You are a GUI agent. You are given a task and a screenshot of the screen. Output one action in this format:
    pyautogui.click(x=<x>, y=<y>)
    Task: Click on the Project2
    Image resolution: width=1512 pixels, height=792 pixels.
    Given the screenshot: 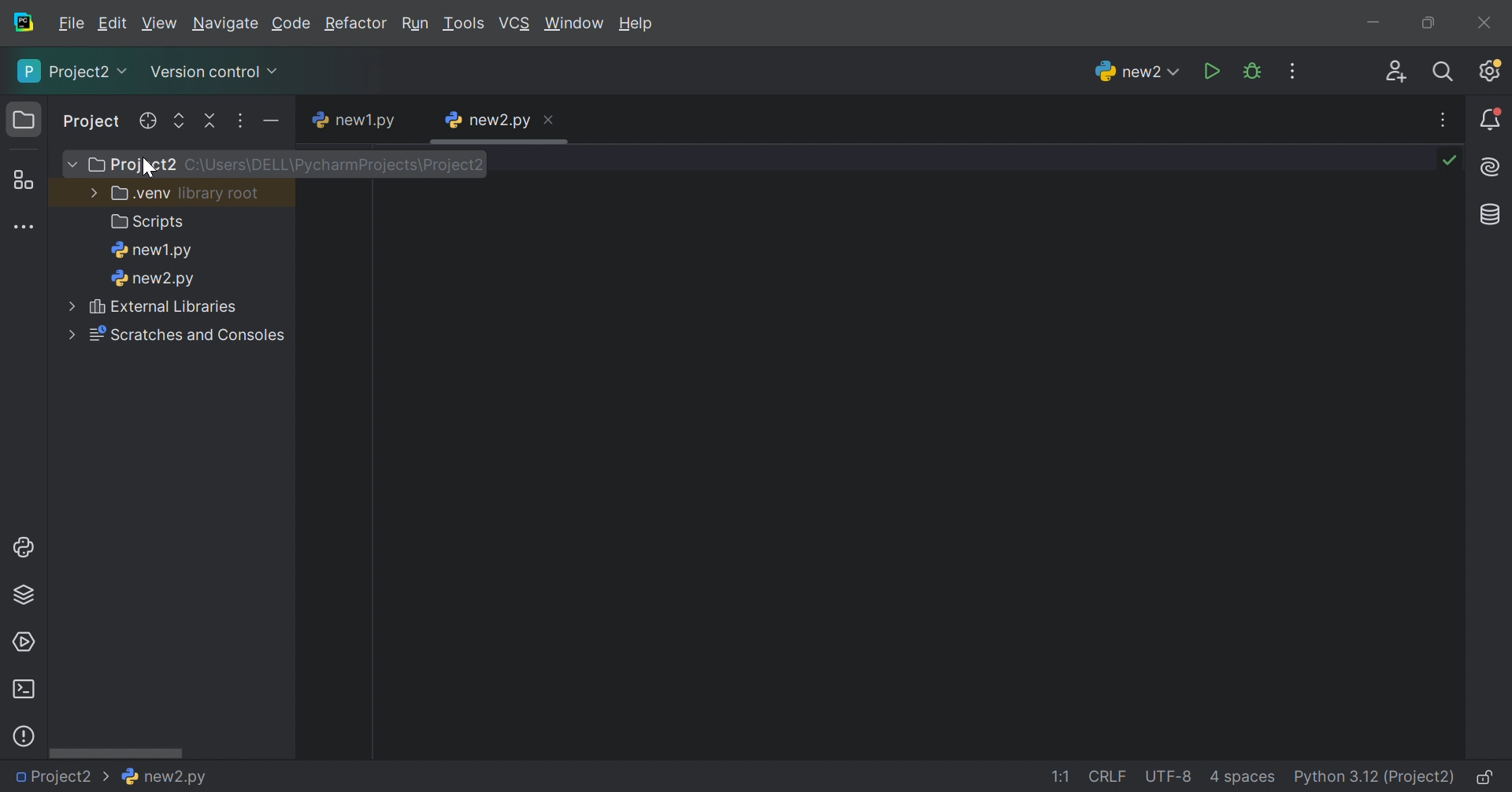 What is the action you would take?
    pyautogui.click(x=74, y=72)
    